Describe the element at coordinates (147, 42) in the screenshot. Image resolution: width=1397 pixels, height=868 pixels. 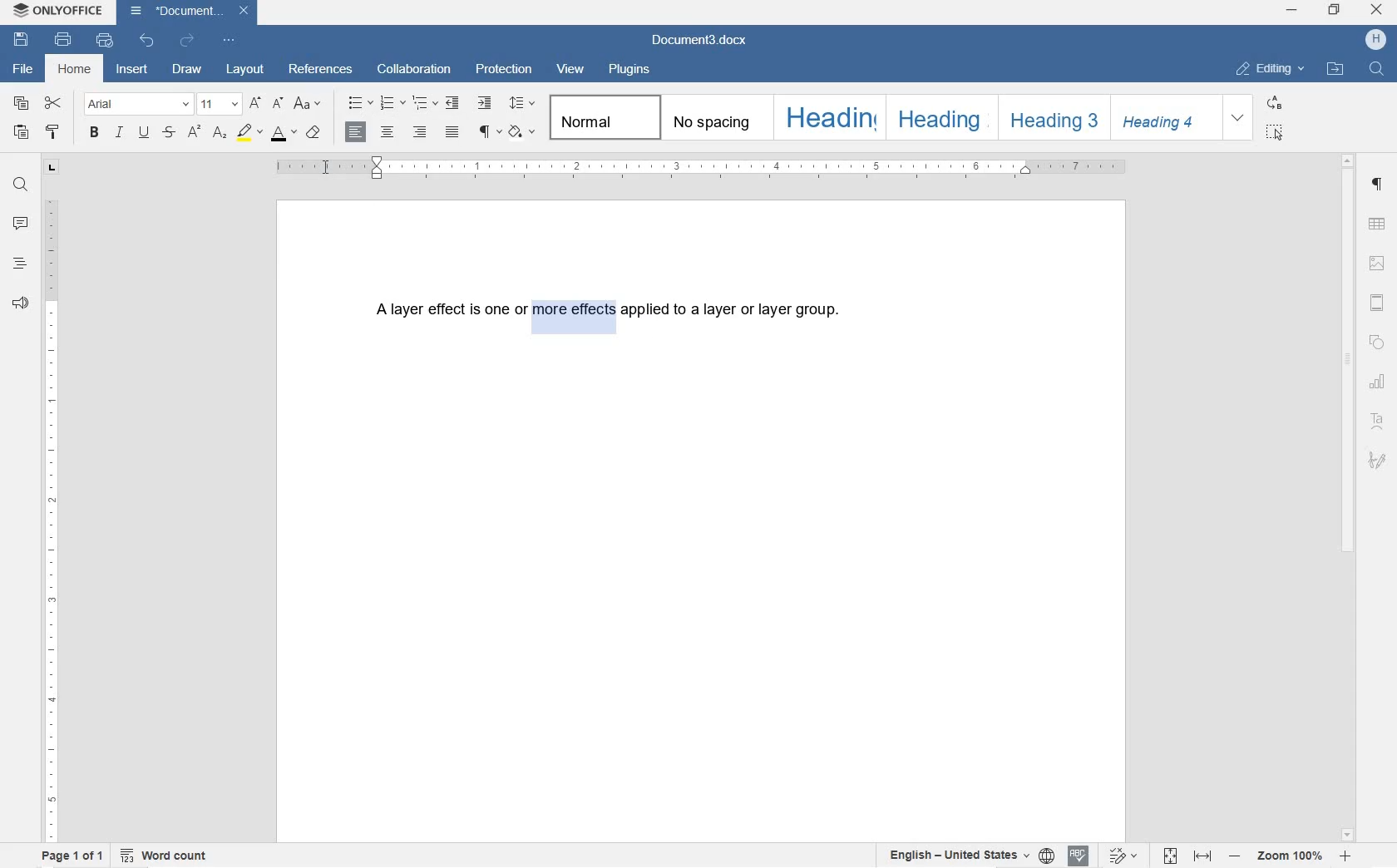
I see `UNDO` at that location.